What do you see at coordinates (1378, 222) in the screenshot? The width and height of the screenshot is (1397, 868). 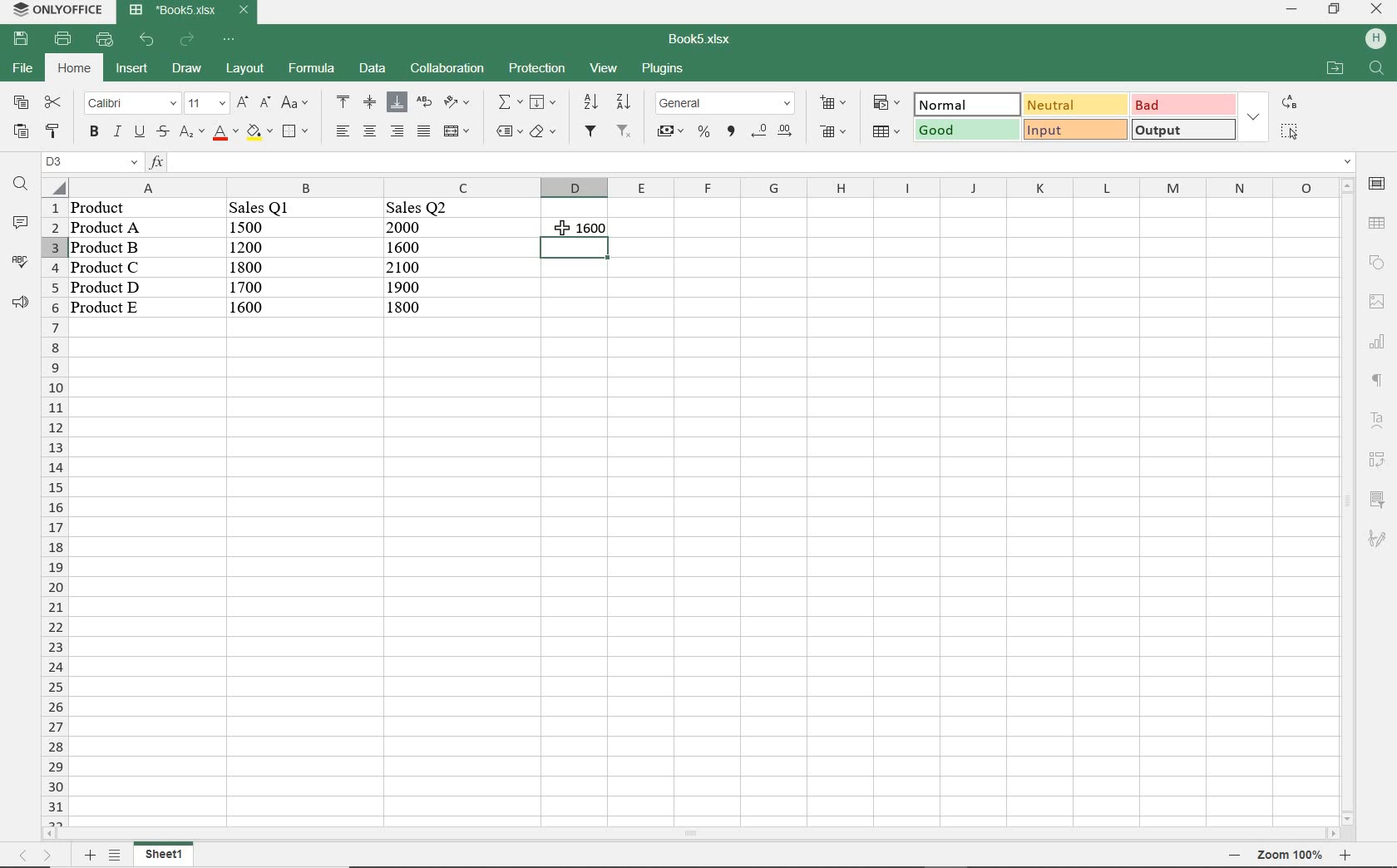 I see `table` at bounding box center [1378, 222].